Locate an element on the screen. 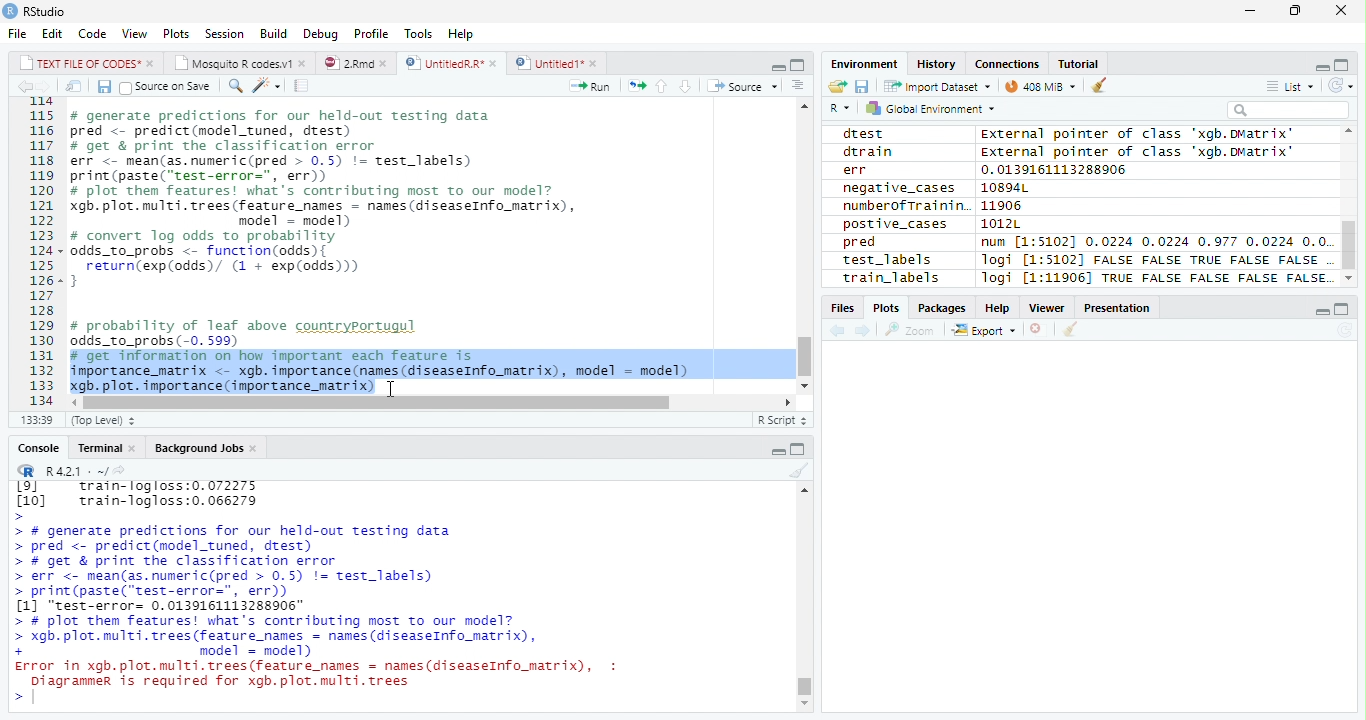 The image size is (1366, 720). Open folder is located at coordinates (837, 85).